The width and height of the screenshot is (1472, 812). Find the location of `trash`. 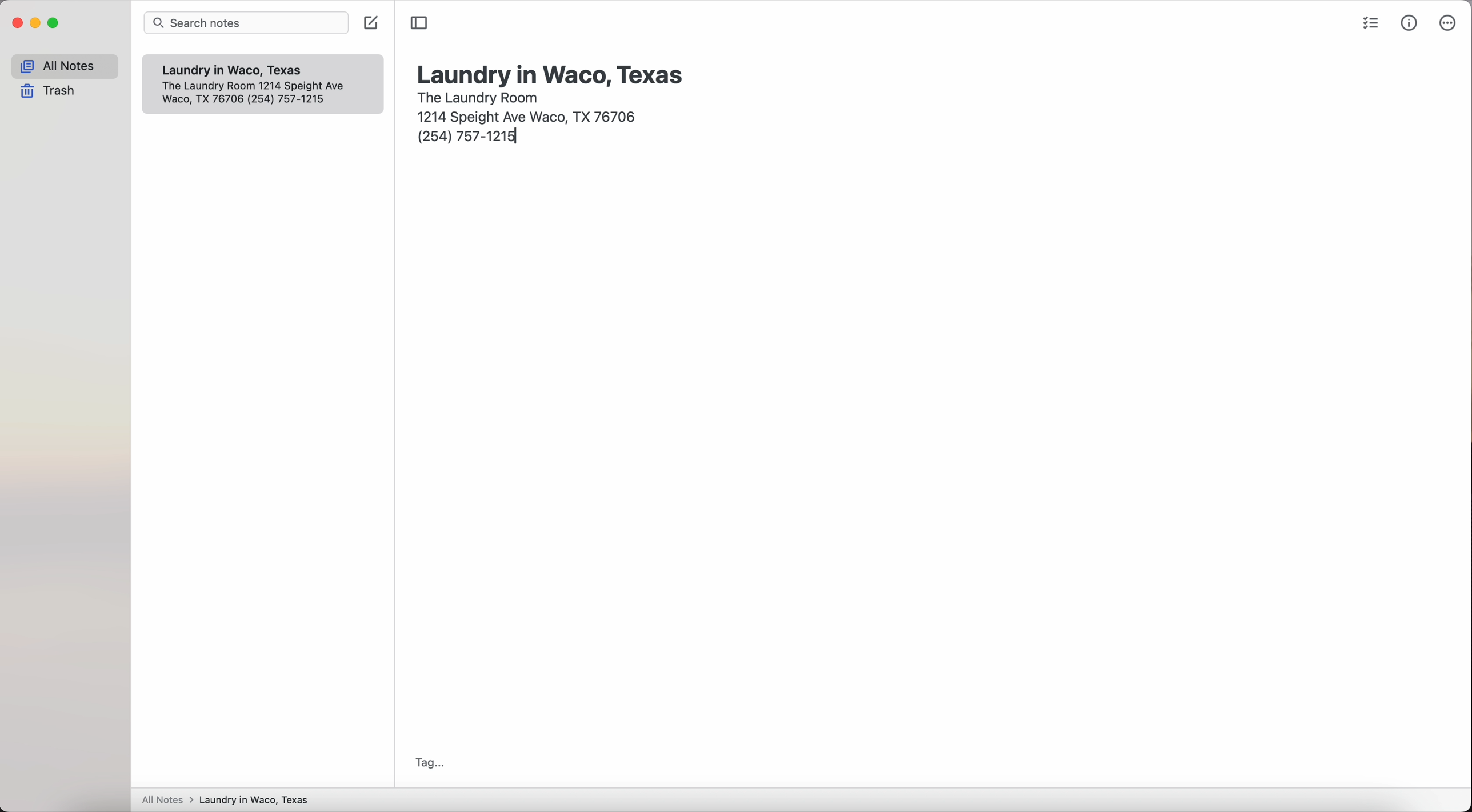

trash is located at coordinates (51, 92).